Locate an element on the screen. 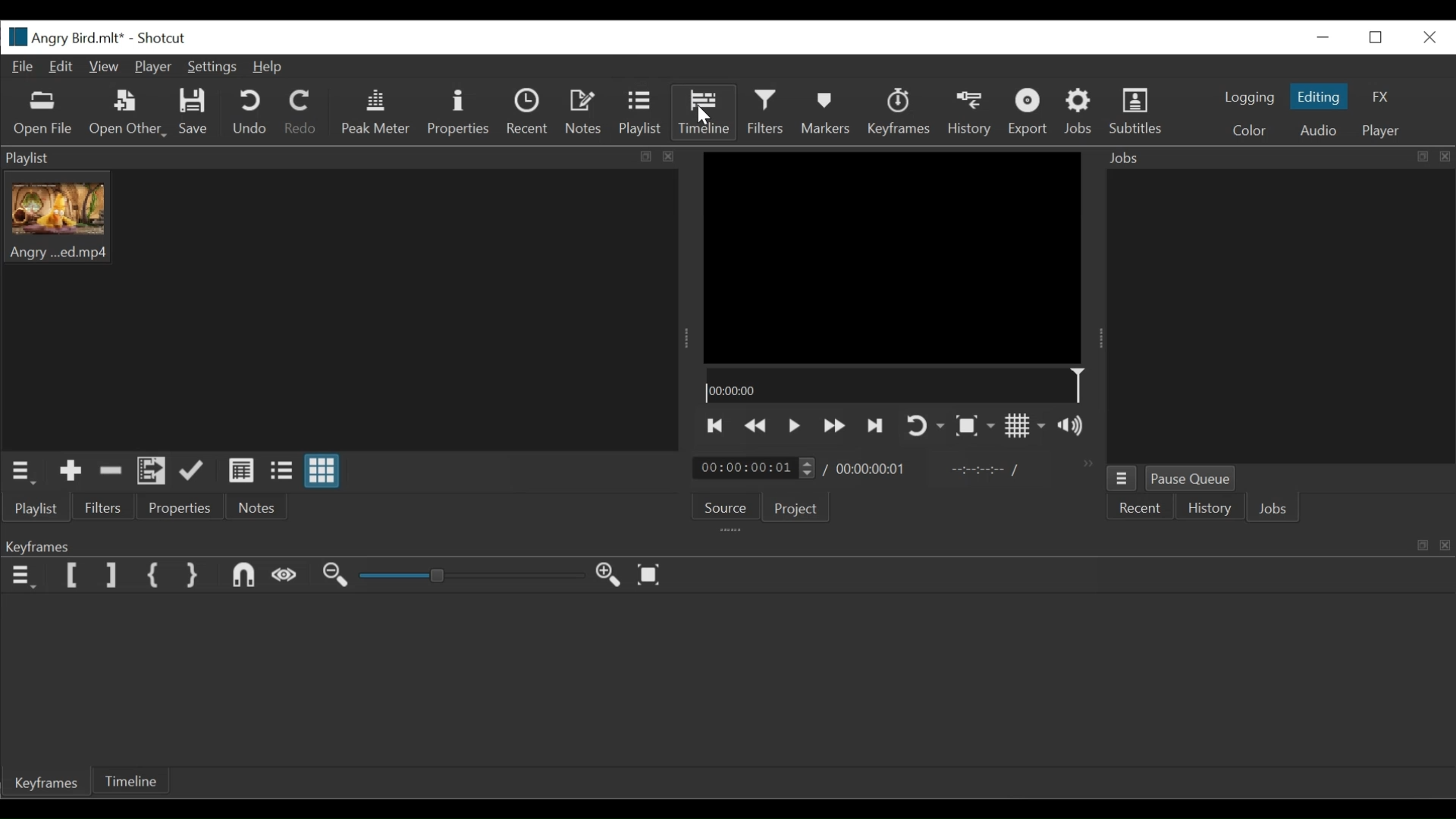  View as files is located at coordinates (284, 472).